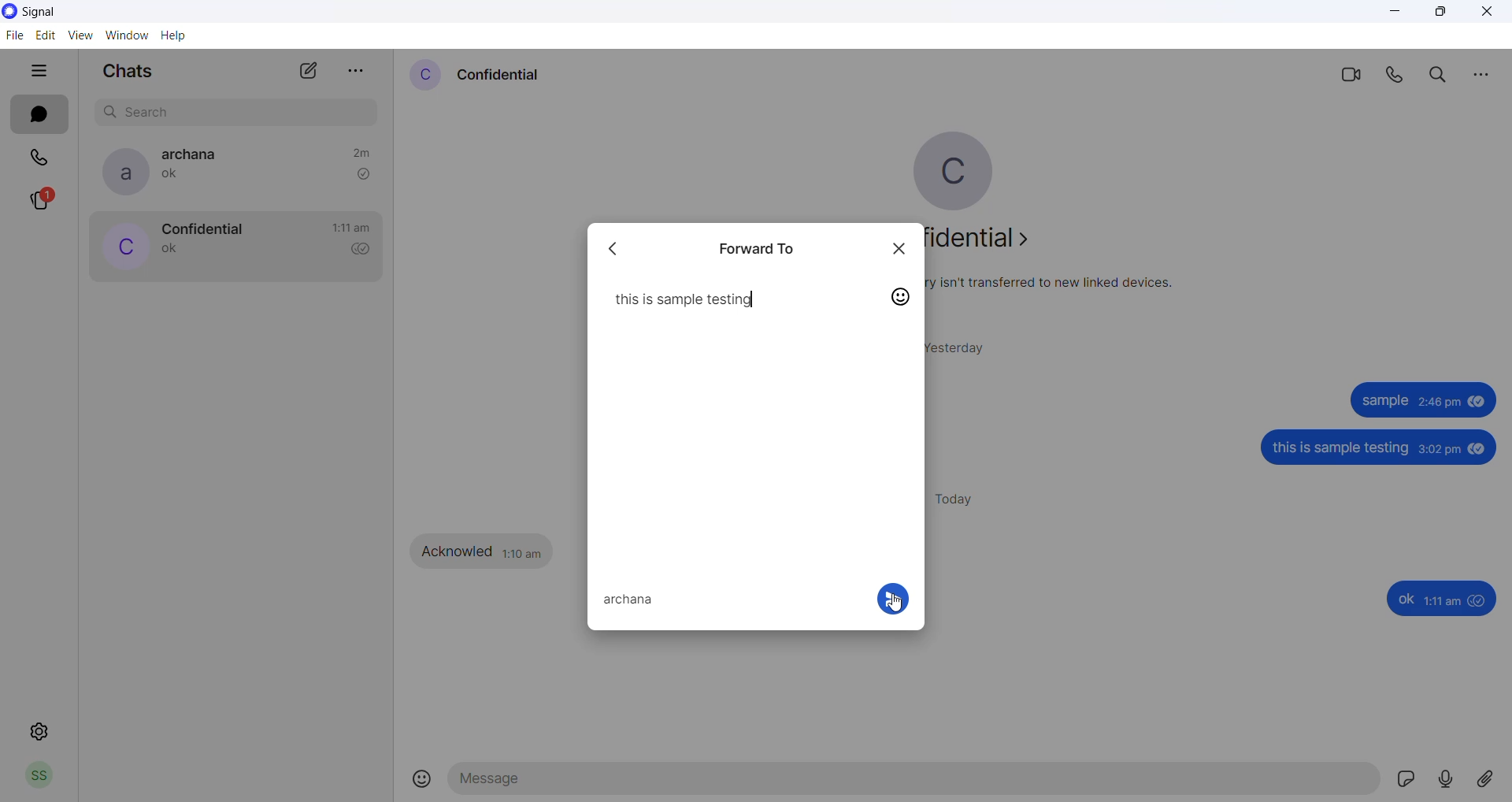  Describe the element at coordinates (1480, 601) in the screenshot. I see `seen` at that location.